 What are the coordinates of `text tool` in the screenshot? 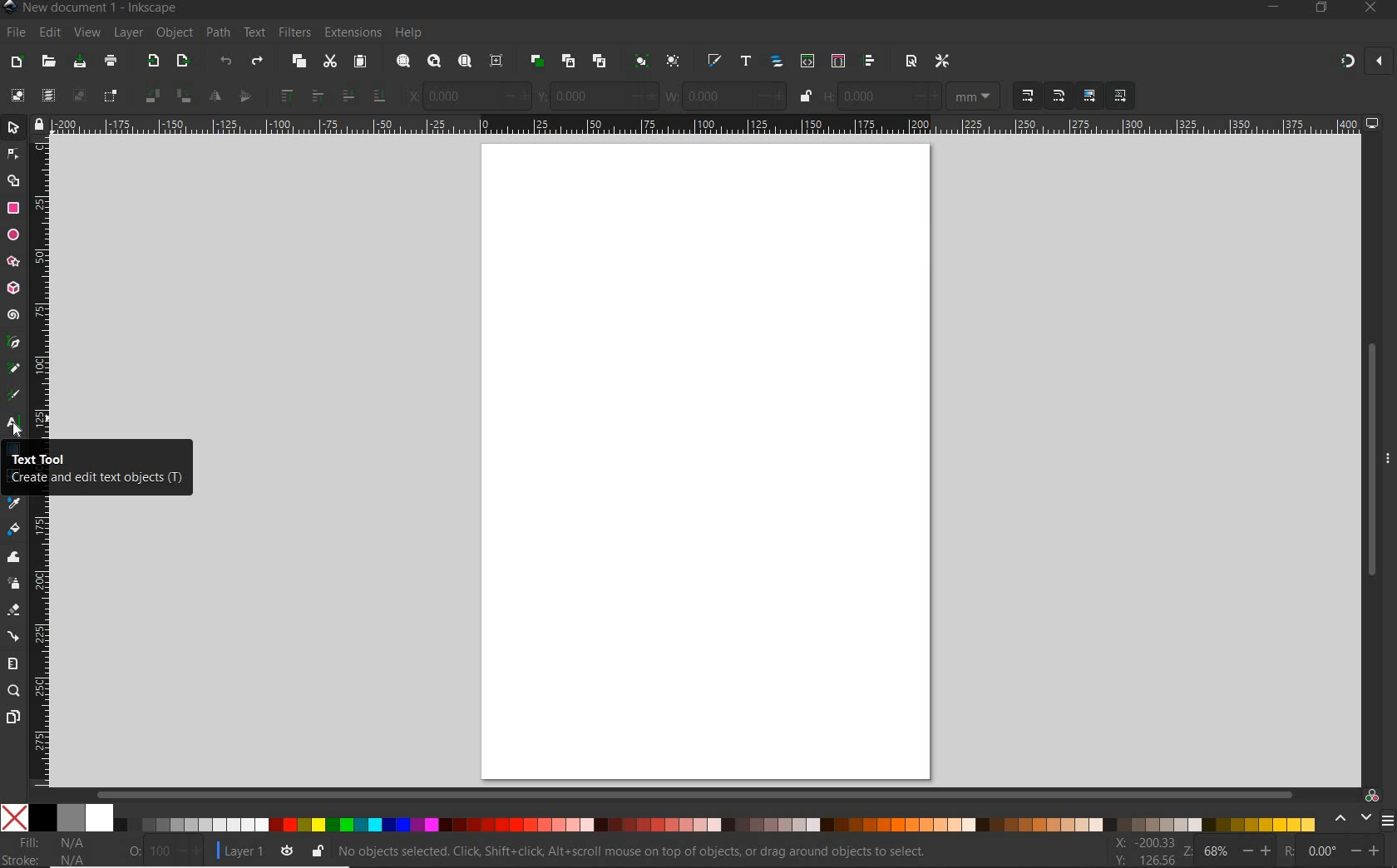 It's located at (14, 427).